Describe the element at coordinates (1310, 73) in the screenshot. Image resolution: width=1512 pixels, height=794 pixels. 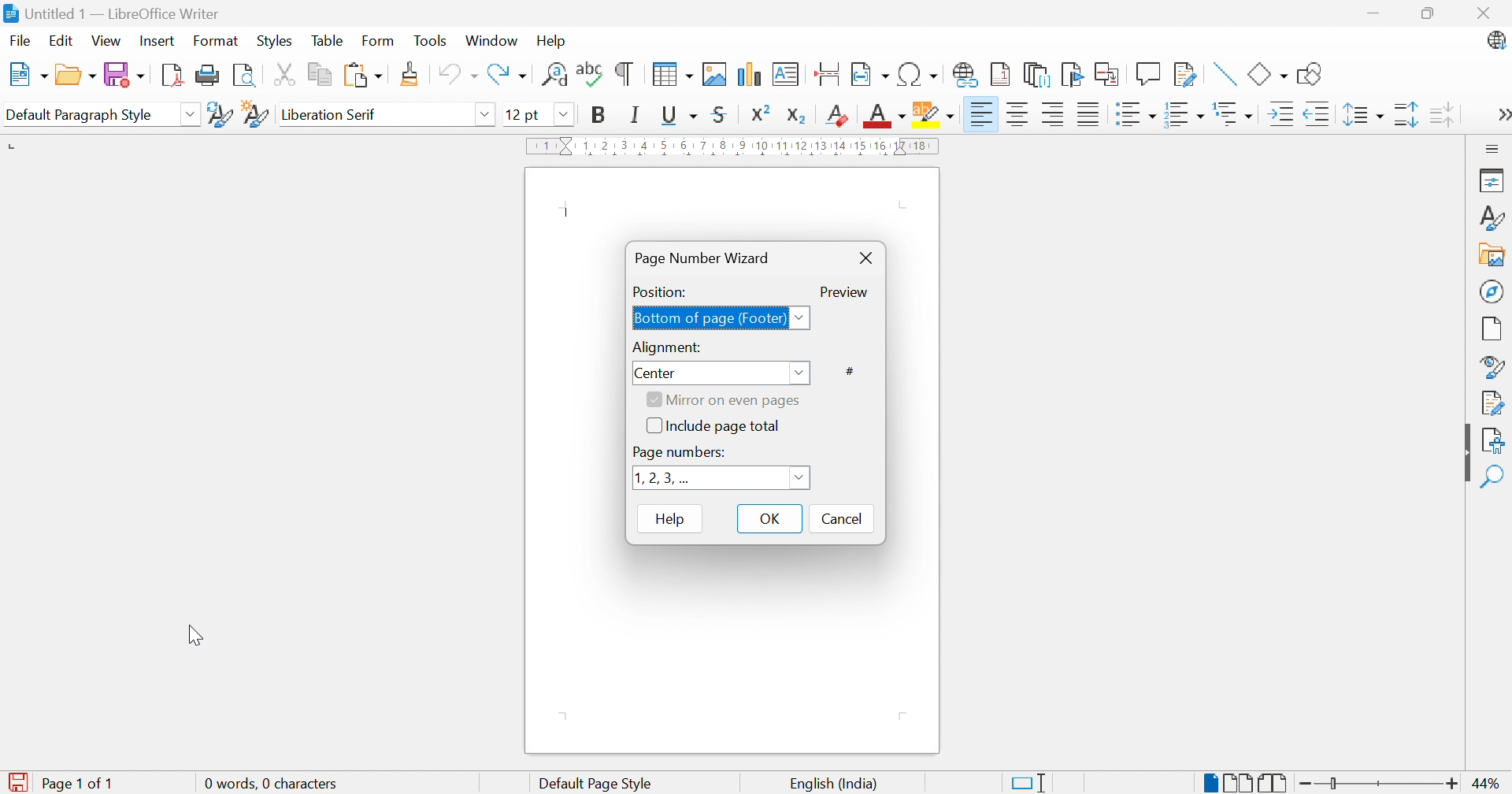
I see `Show draw functions` at that location.